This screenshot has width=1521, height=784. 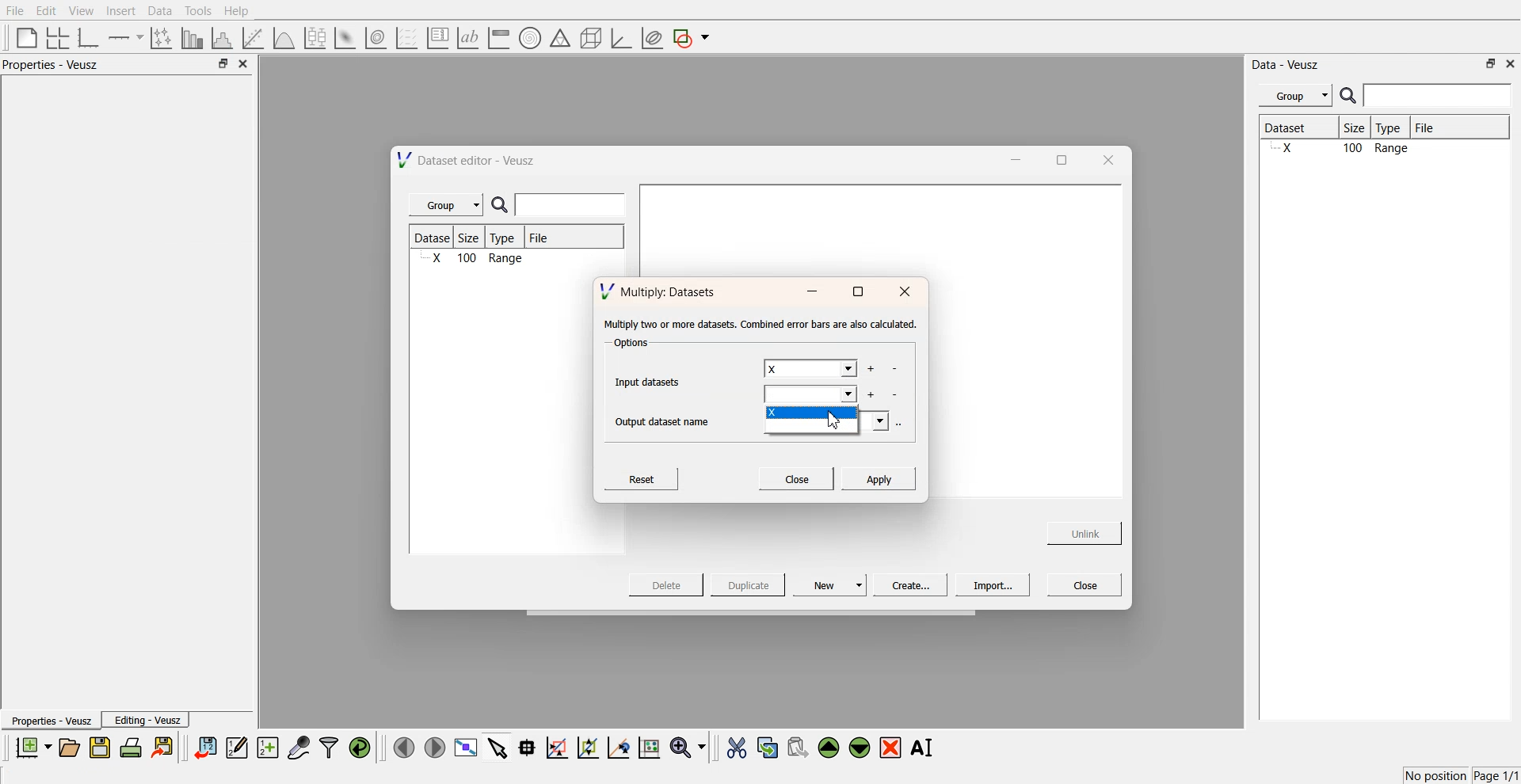 What do you see at coordinates (811, 396) in the screenshot?
I see `input dataset field` at bounding box center [811, 396].